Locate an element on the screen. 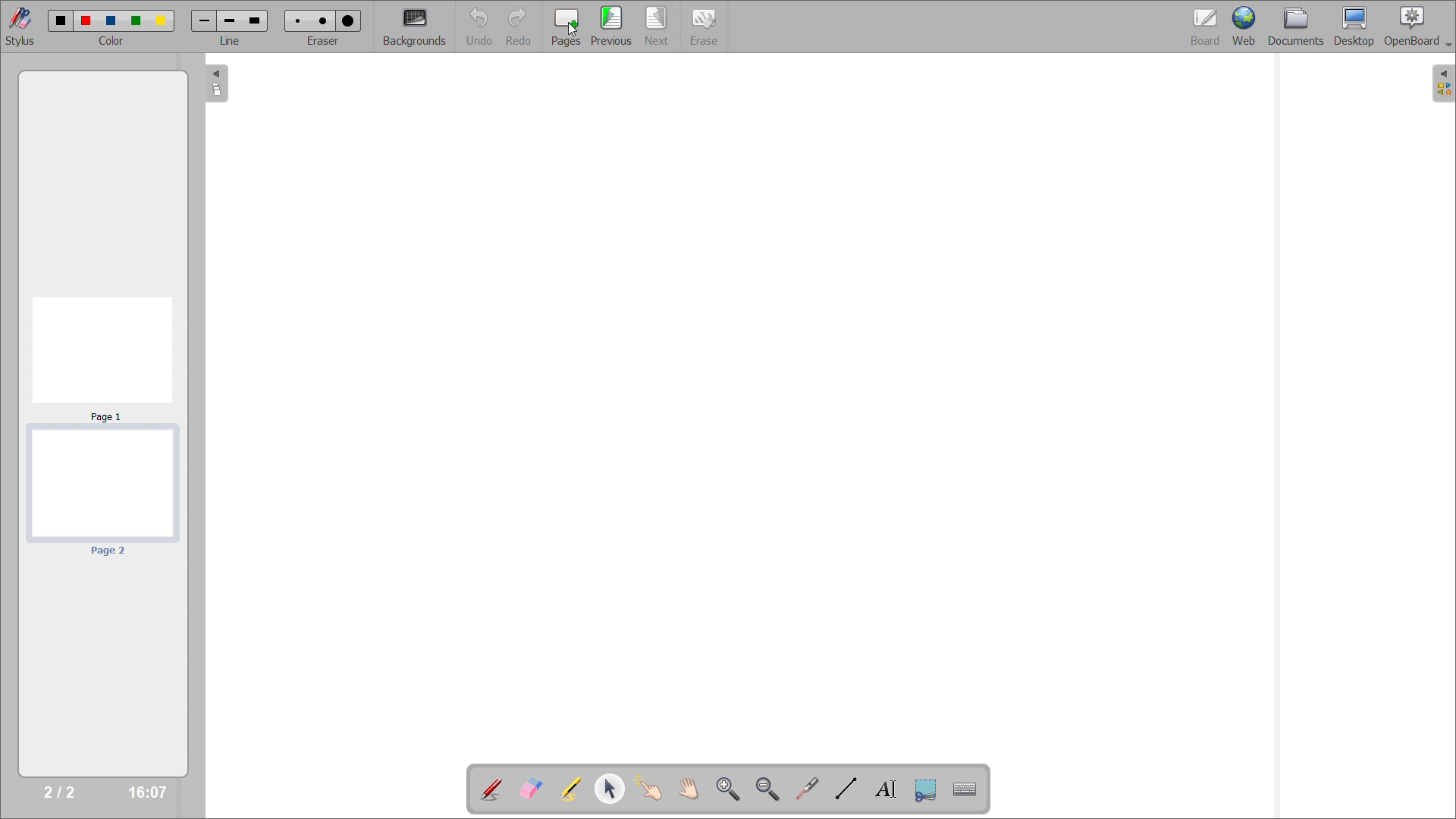 Image resolution: width=1456 pixels, height=819 pixels. interact with items is located at coordinates (648, 788).